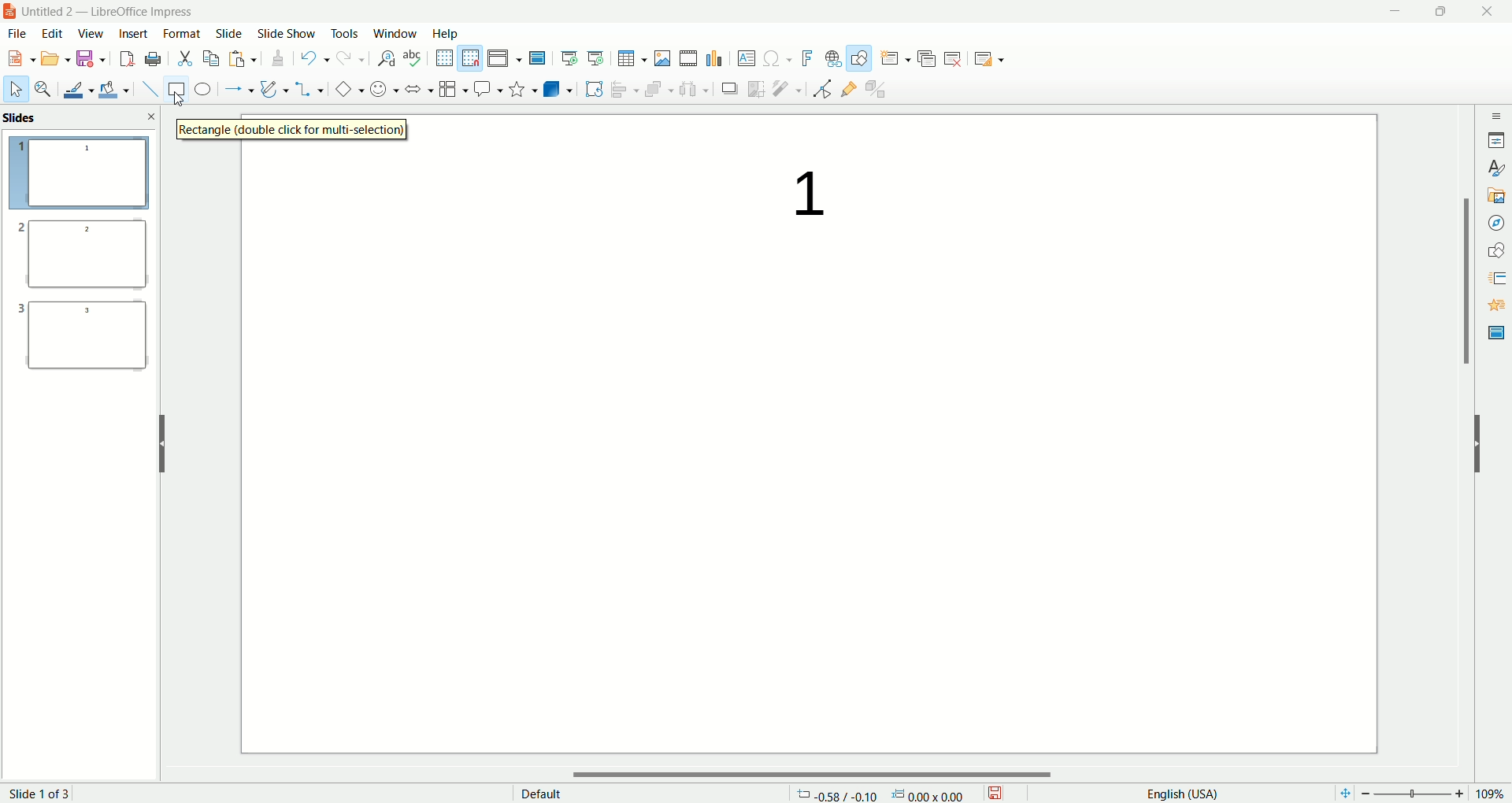 Image resolution: width=1512 pixels, height=803 pixels. I want to click on shapes, so click(1496, 248).